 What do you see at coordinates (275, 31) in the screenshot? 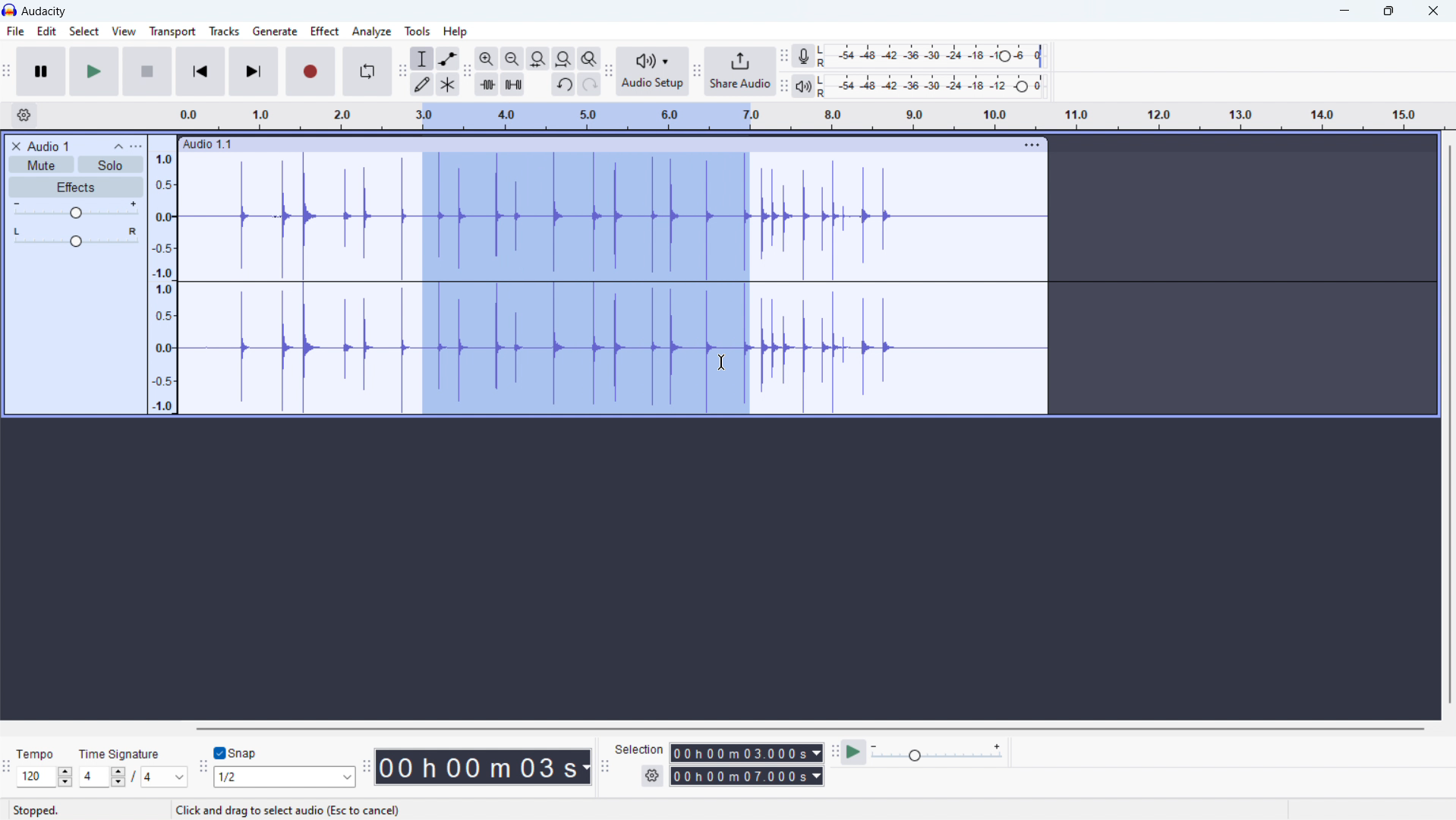
I see `generate` at bounding box center [275, 31].